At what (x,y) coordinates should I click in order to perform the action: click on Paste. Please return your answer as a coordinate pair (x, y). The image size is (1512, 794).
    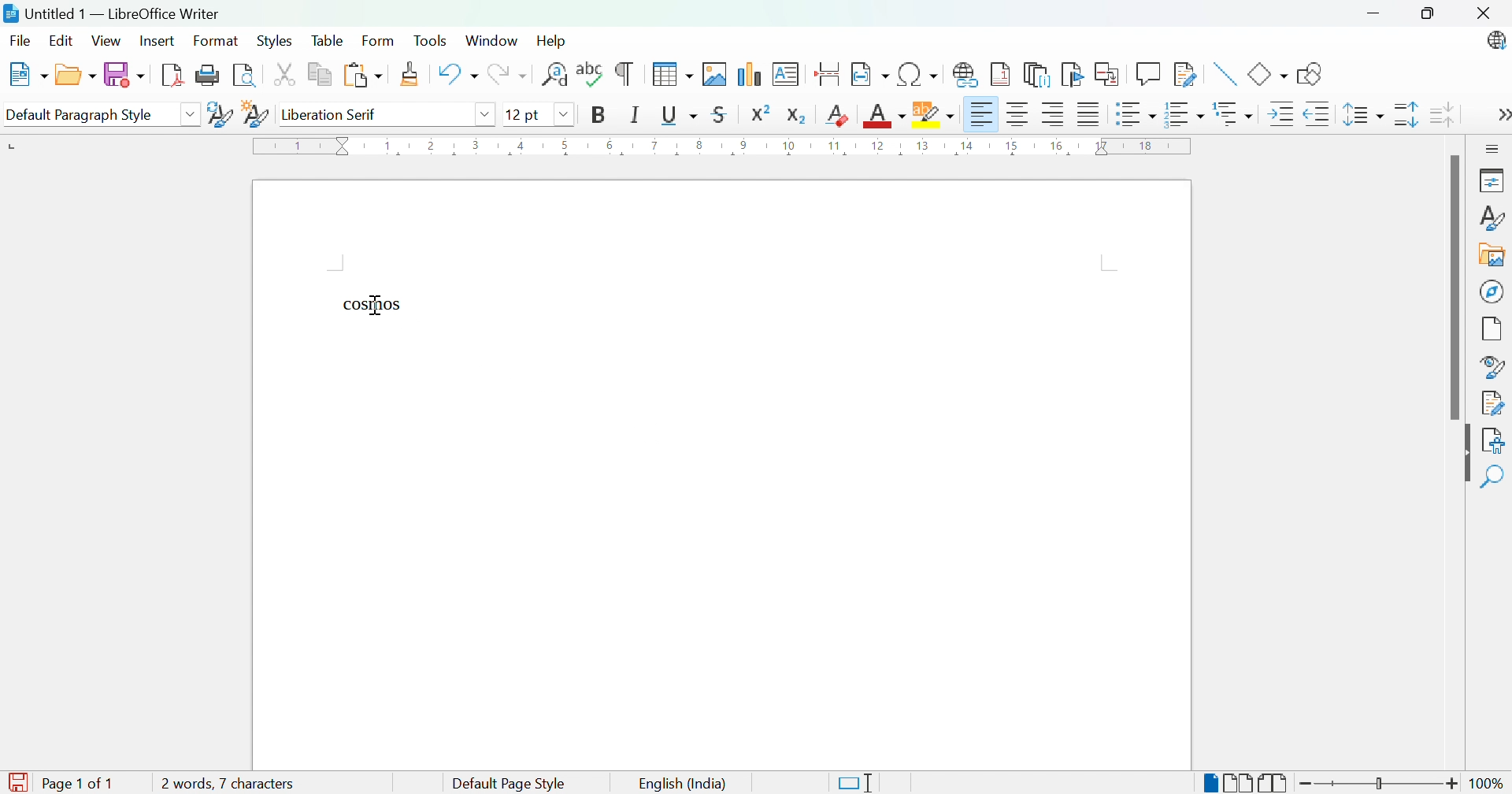
    Looking at the image, I should click on (362, 73).